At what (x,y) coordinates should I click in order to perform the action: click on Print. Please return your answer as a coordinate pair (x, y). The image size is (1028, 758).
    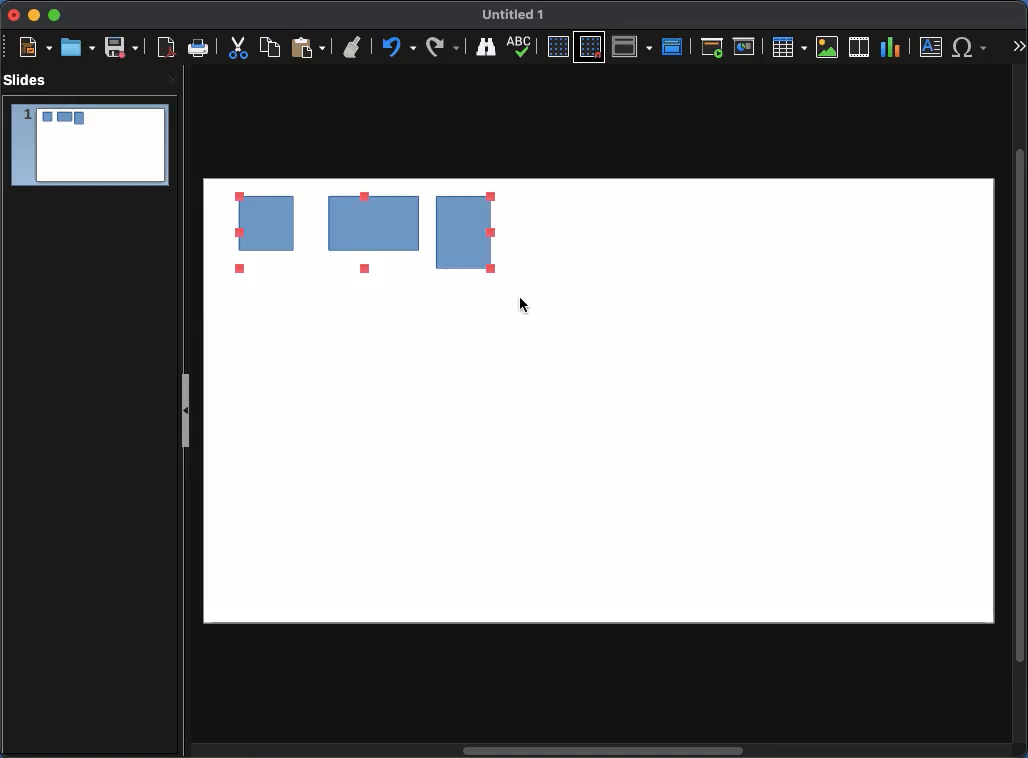
    Looking at the image, I should click on (198, 46).